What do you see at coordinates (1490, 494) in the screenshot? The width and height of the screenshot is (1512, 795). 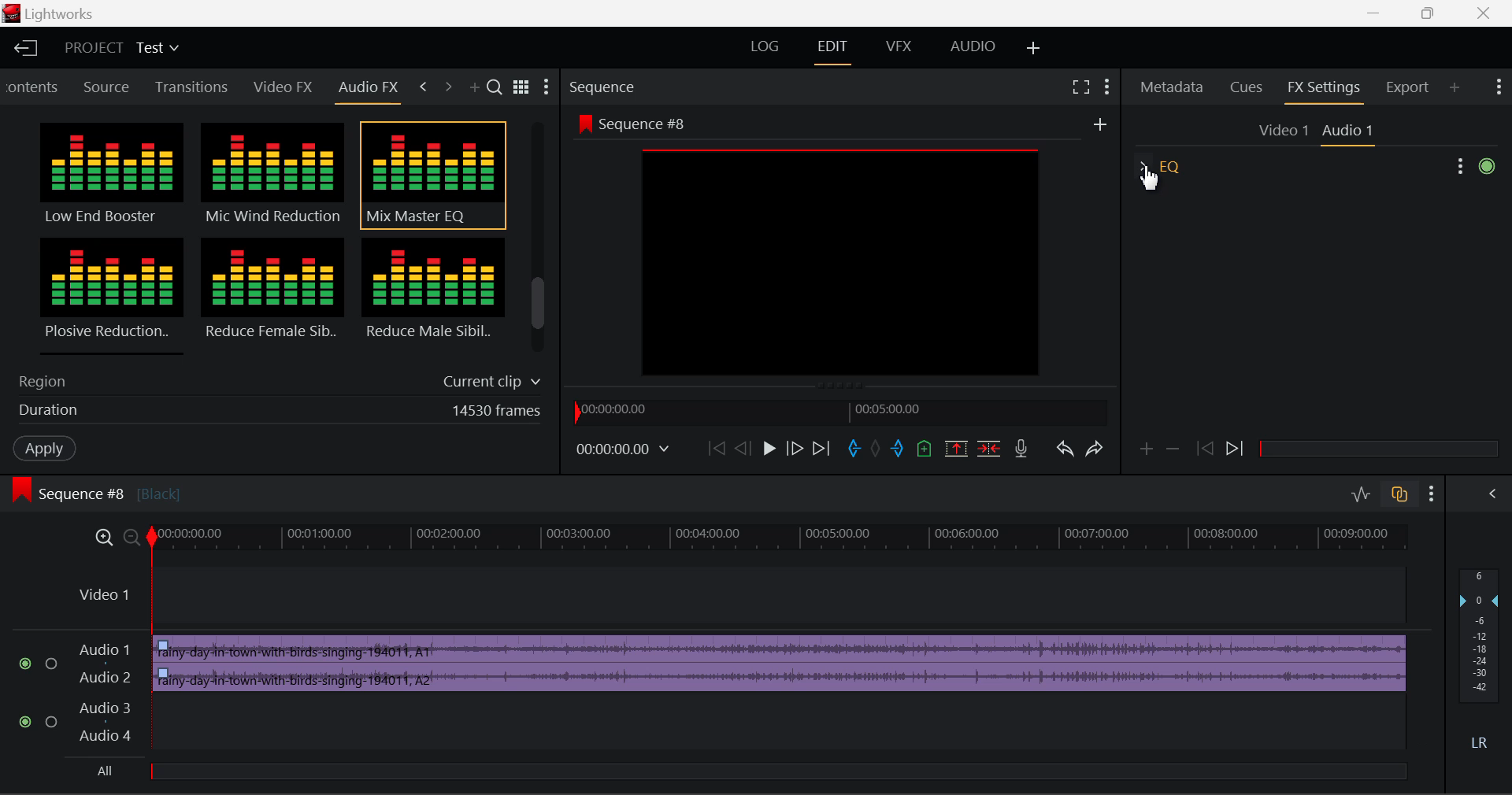 I see `Show Audio Mix` at bounding box center [1490, 494].